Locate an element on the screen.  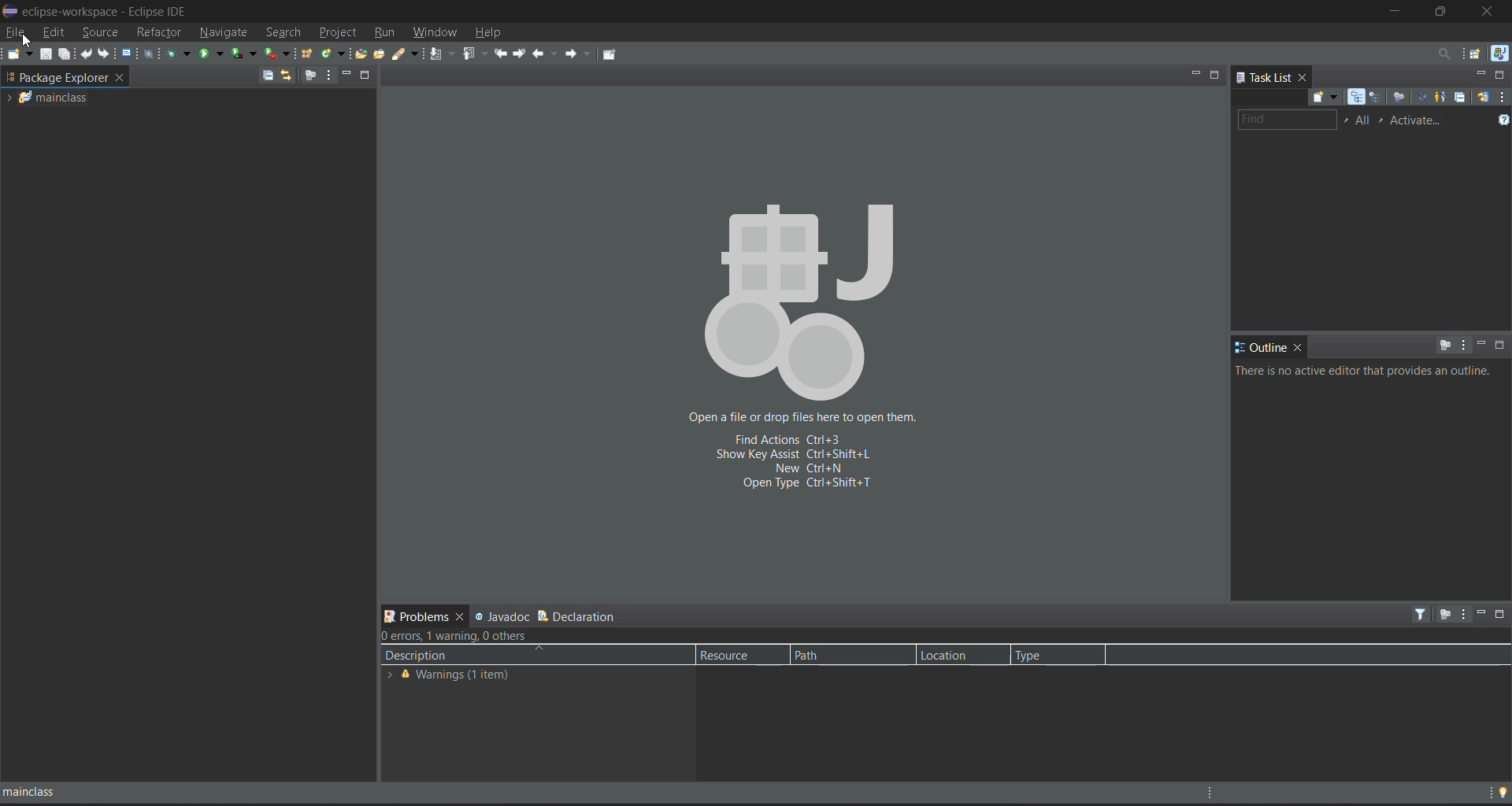
back is located at coordinates (546, 53).